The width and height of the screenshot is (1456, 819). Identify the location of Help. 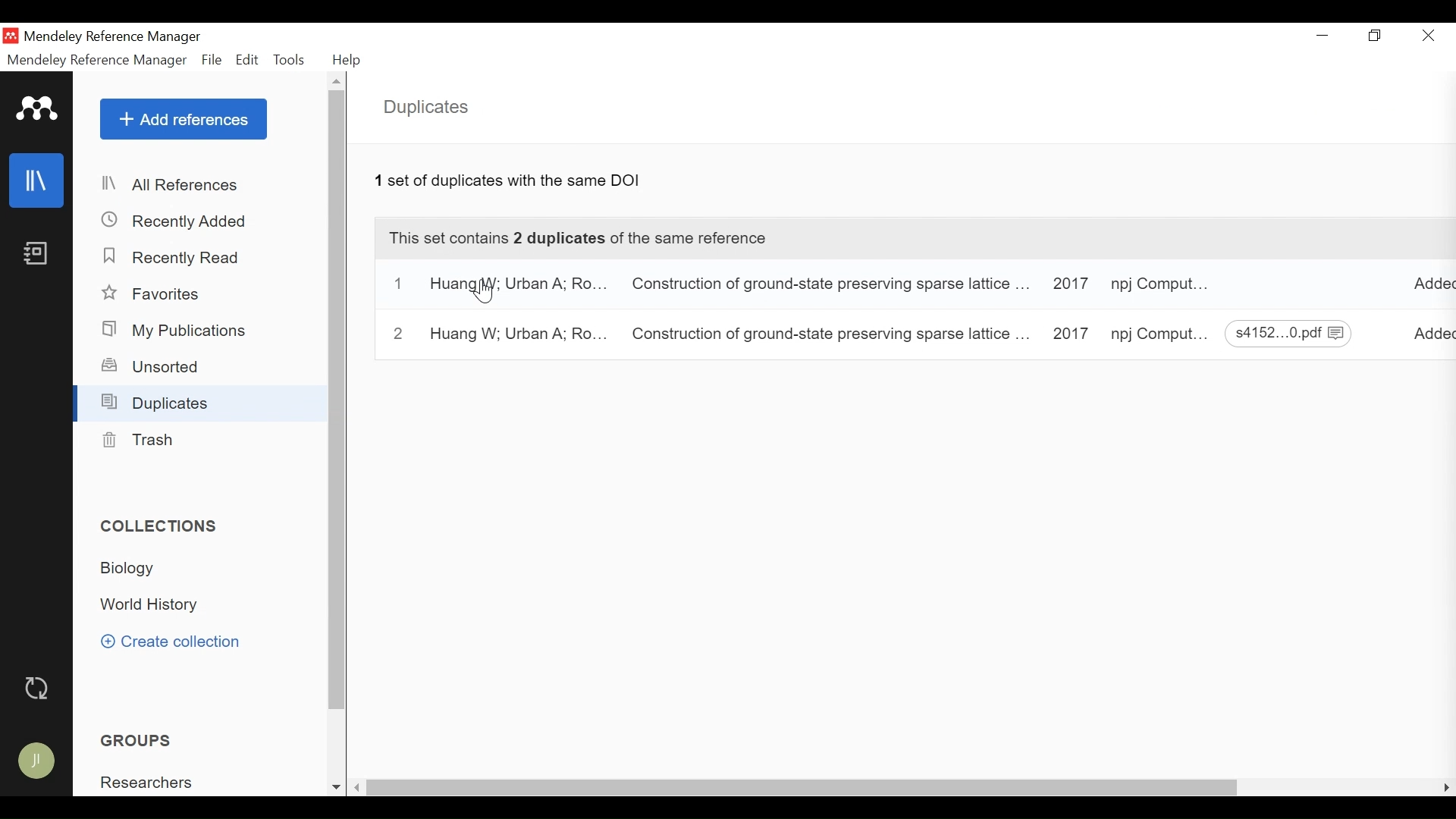
(349, 61).